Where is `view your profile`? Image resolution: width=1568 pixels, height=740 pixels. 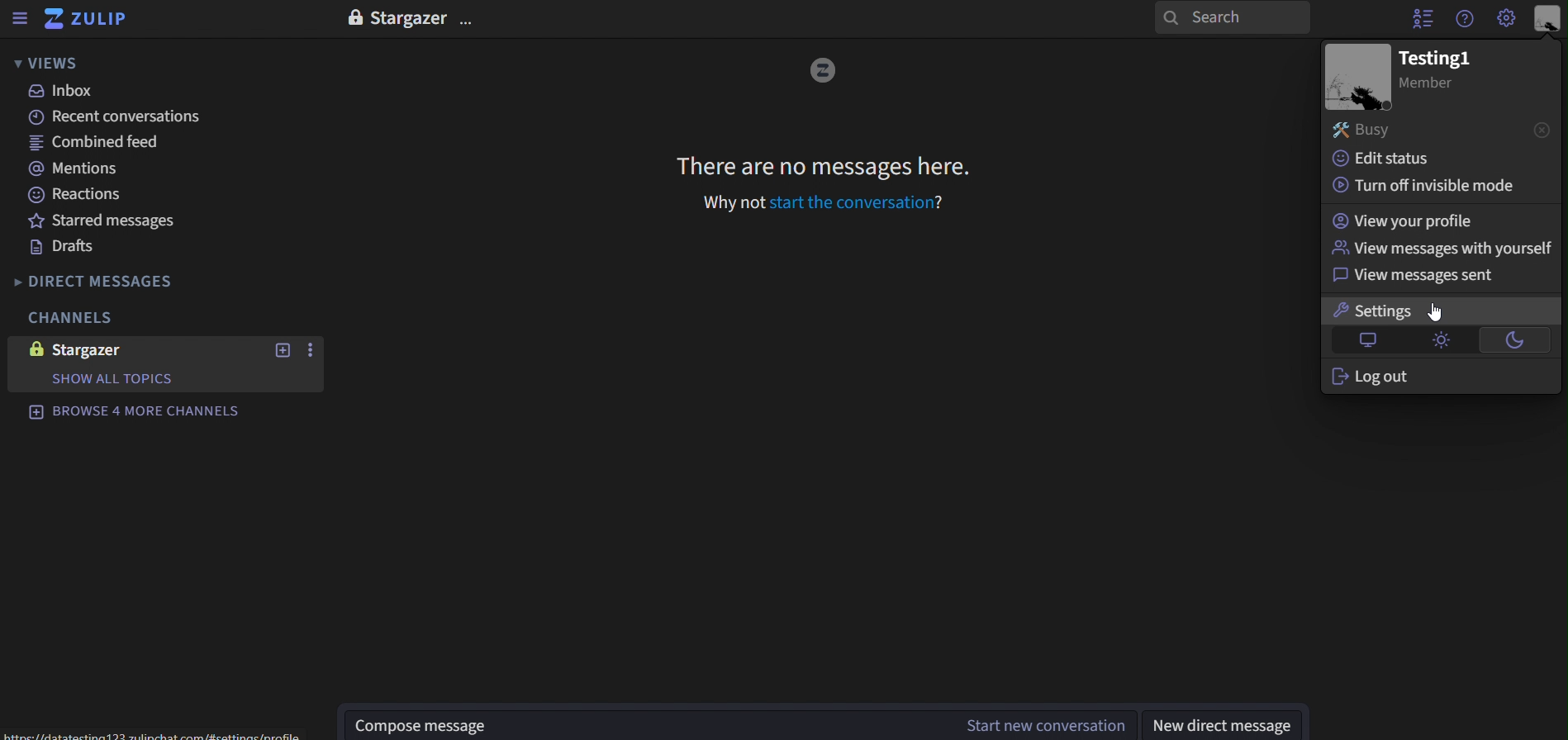 view your profile is located at coordinates (1418, 220).